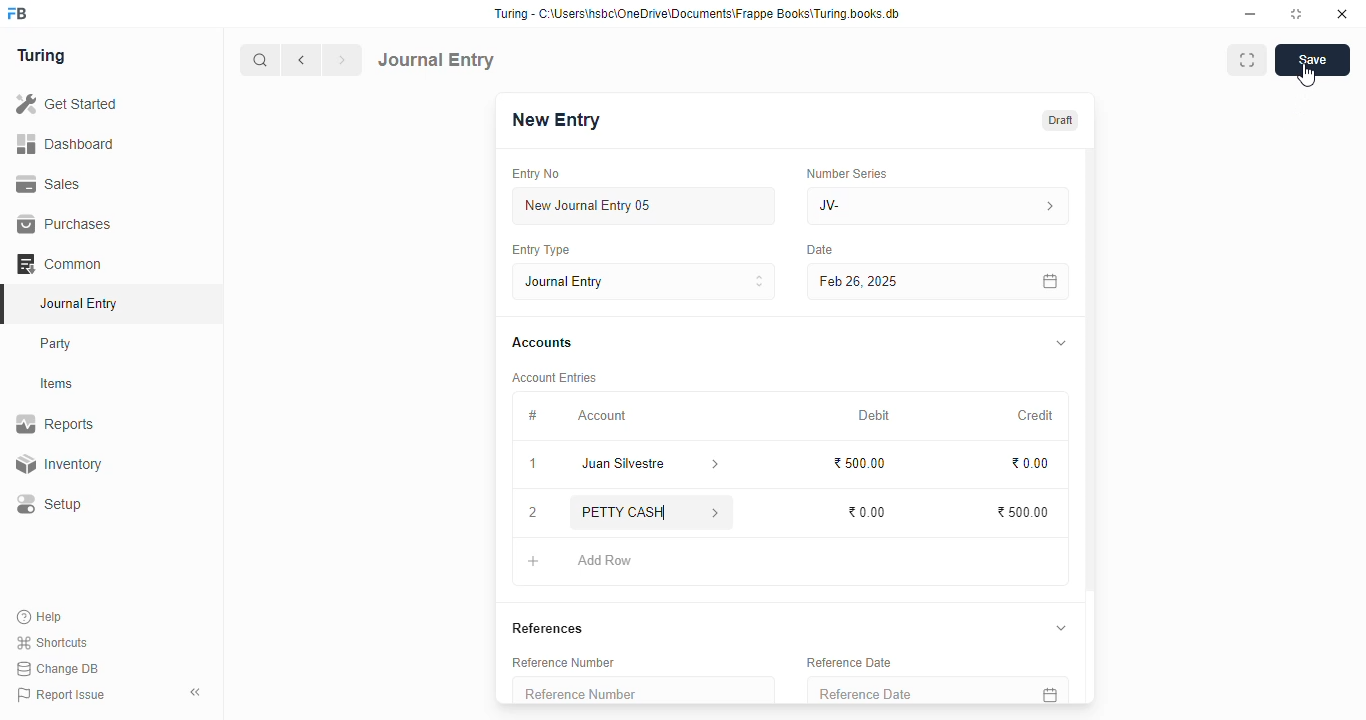 The width and height of the screenshot is (1366, 720). Describe the element at coordinates (627, 465) in the screenshot. I see `juan silvestre` at that location.